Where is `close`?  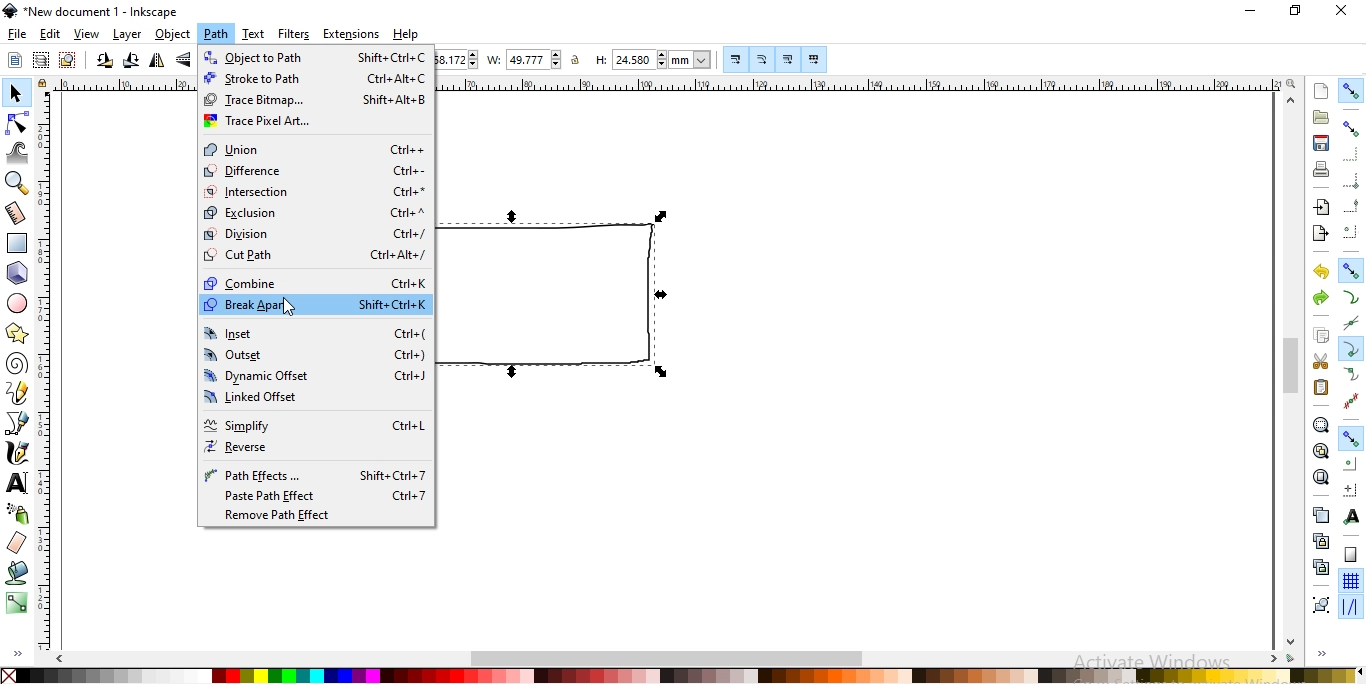 close is located at coordinates (1346, 10).